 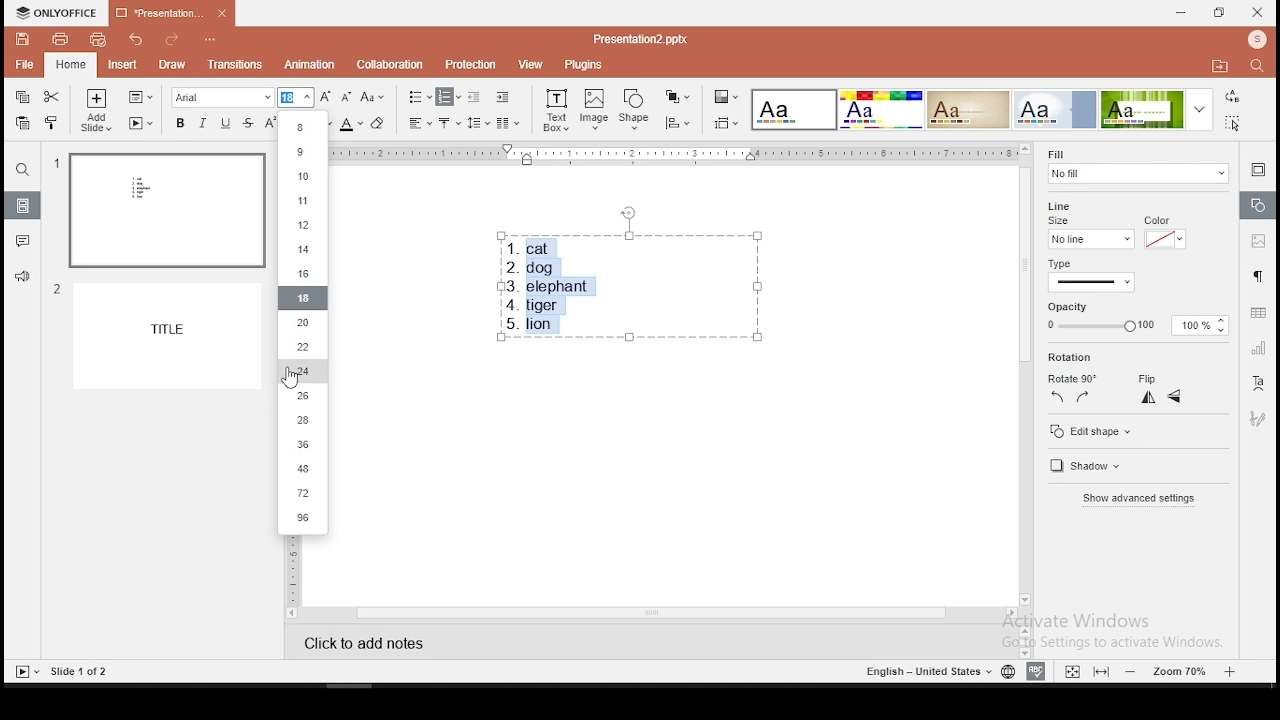 What do you see at coordinates (921, 671) in the screenshot?
I see `english - united states` at bounding box center [921, 671].